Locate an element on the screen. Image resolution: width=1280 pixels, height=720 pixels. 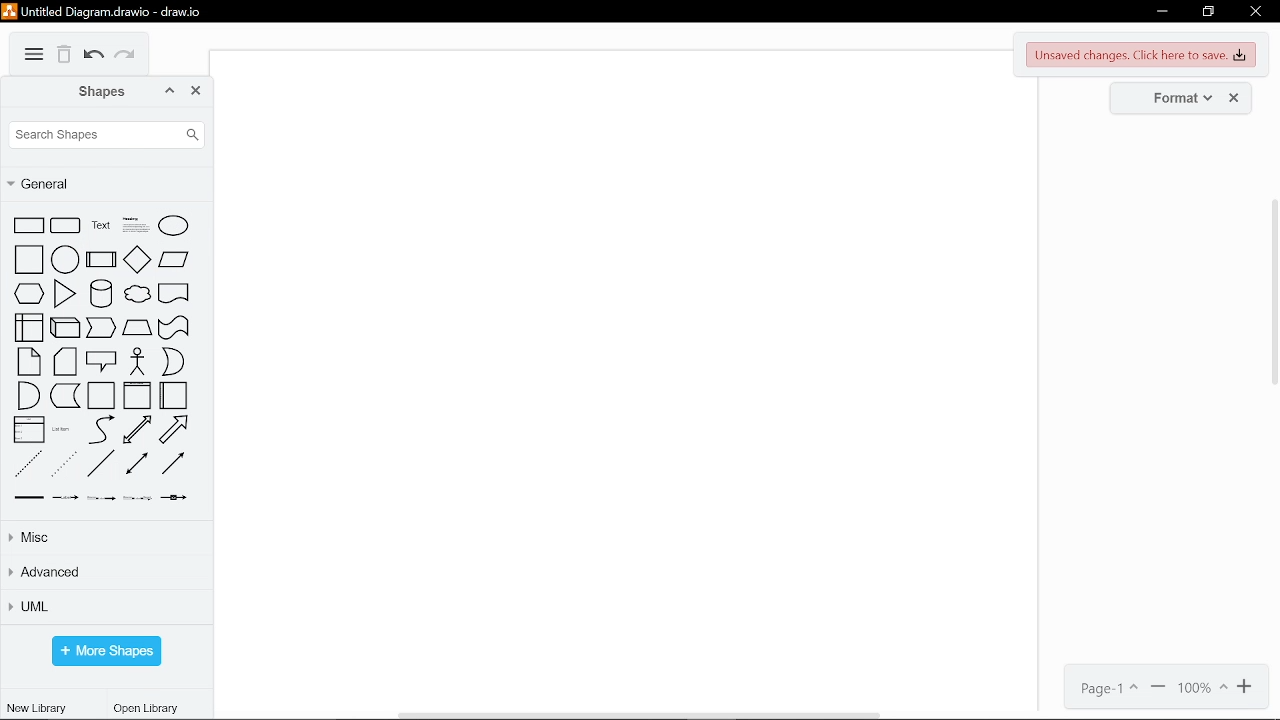
vertical container is located at coordinates (136, 397).